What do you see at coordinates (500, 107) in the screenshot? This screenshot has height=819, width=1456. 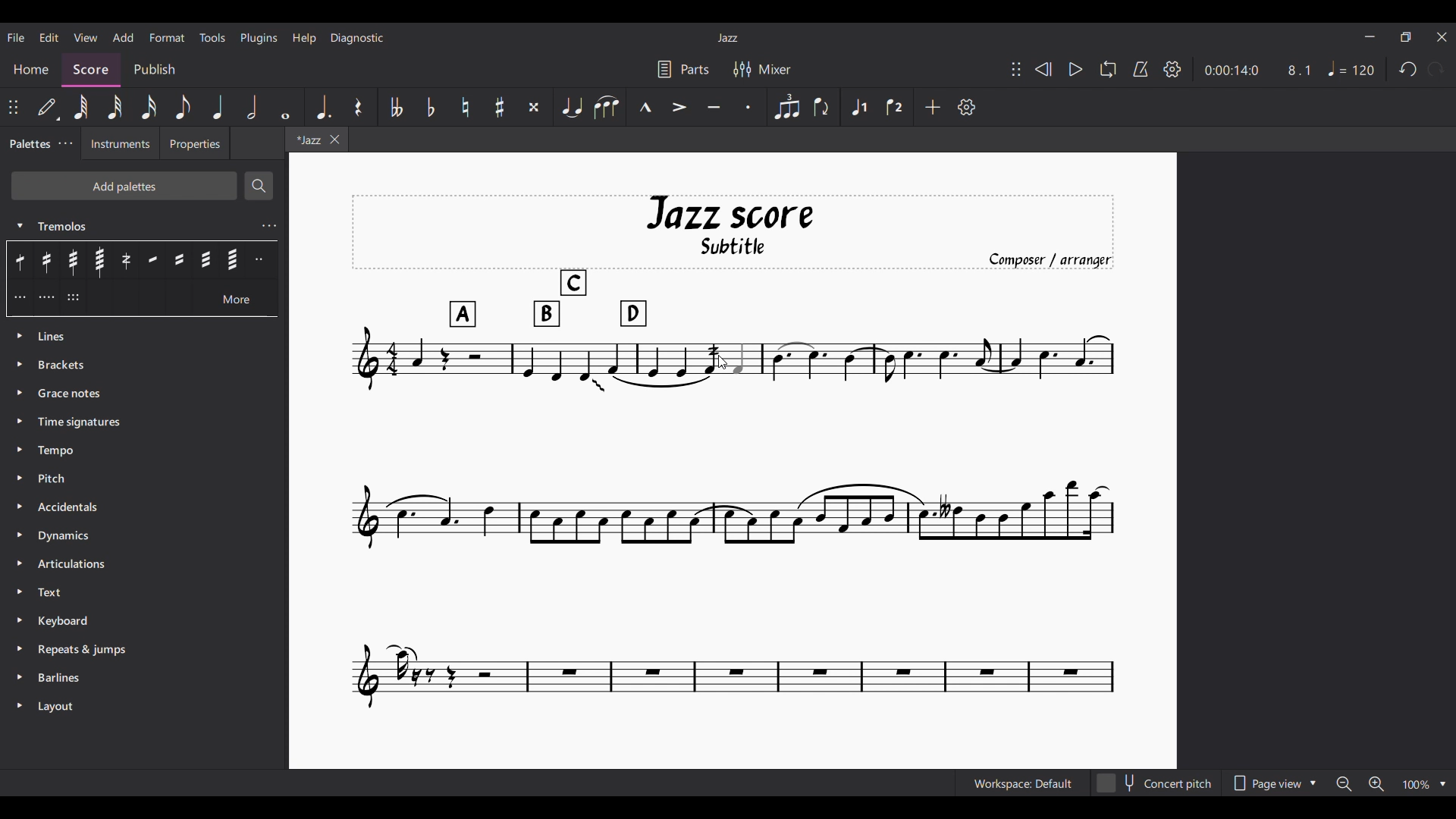 I see `Toggle sharp` at bounding box center [500, 107].